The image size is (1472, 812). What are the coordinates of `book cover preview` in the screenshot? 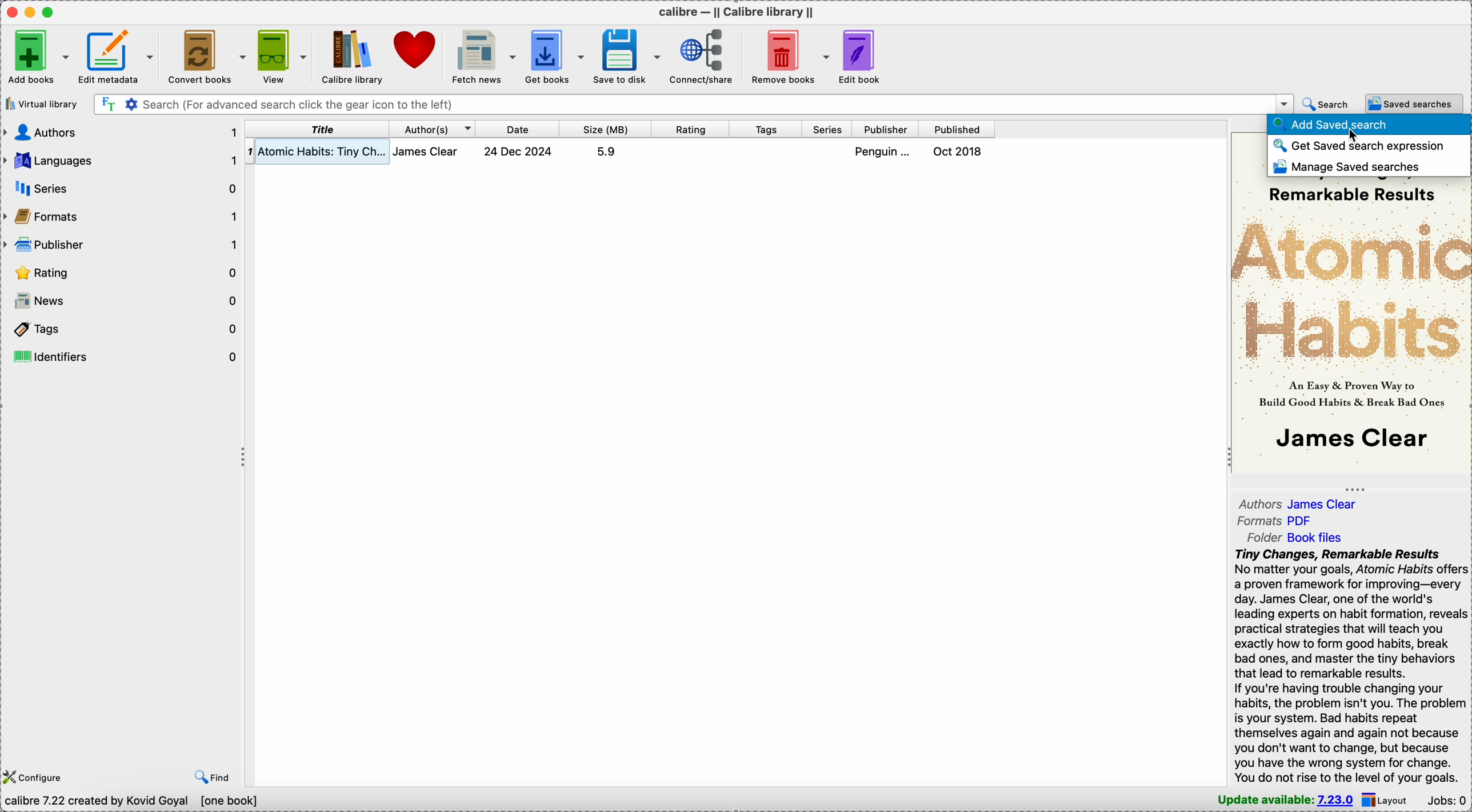 It's located at (1350, 327).